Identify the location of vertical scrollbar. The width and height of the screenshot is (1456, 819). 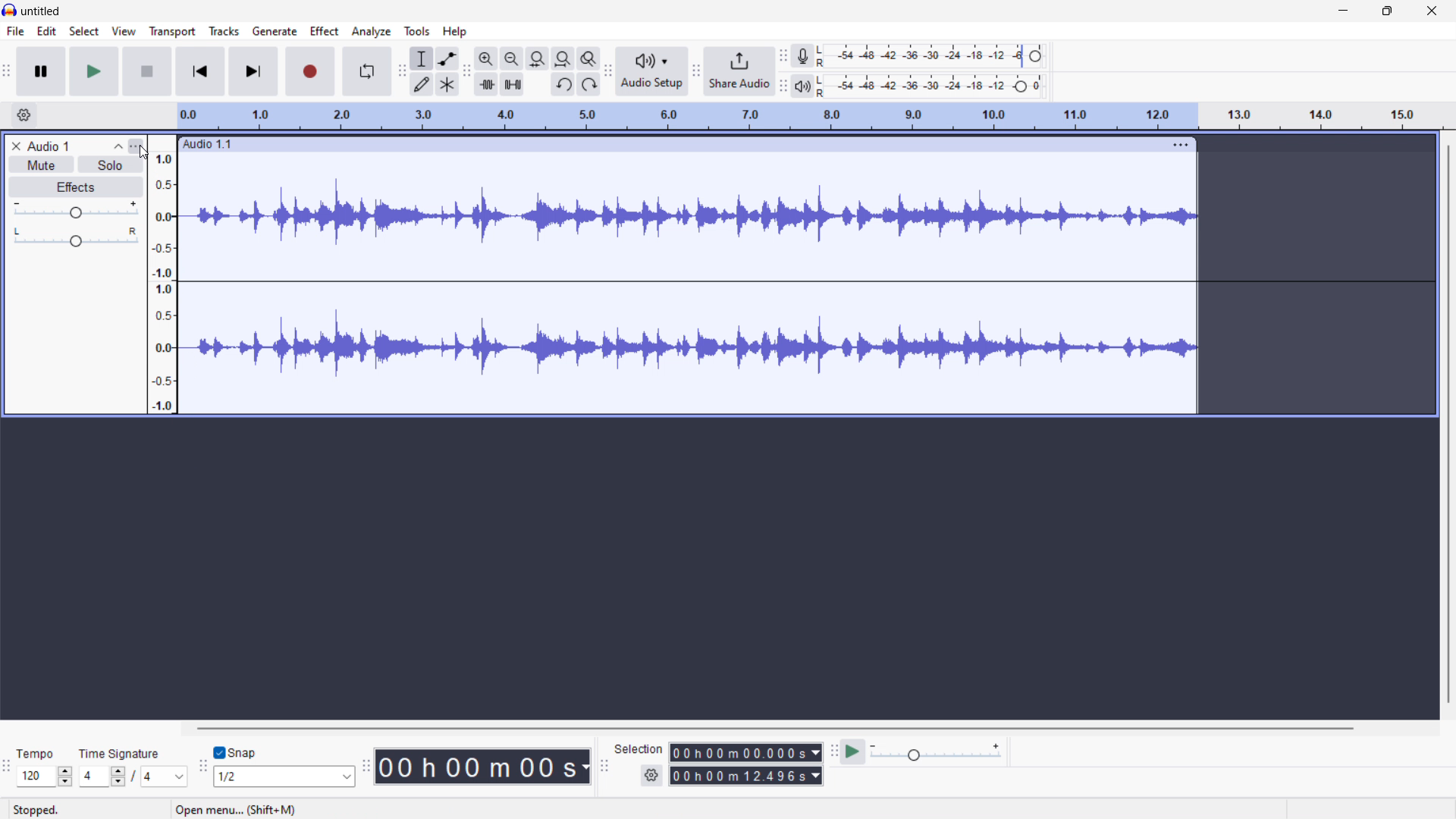
(1449, 425).